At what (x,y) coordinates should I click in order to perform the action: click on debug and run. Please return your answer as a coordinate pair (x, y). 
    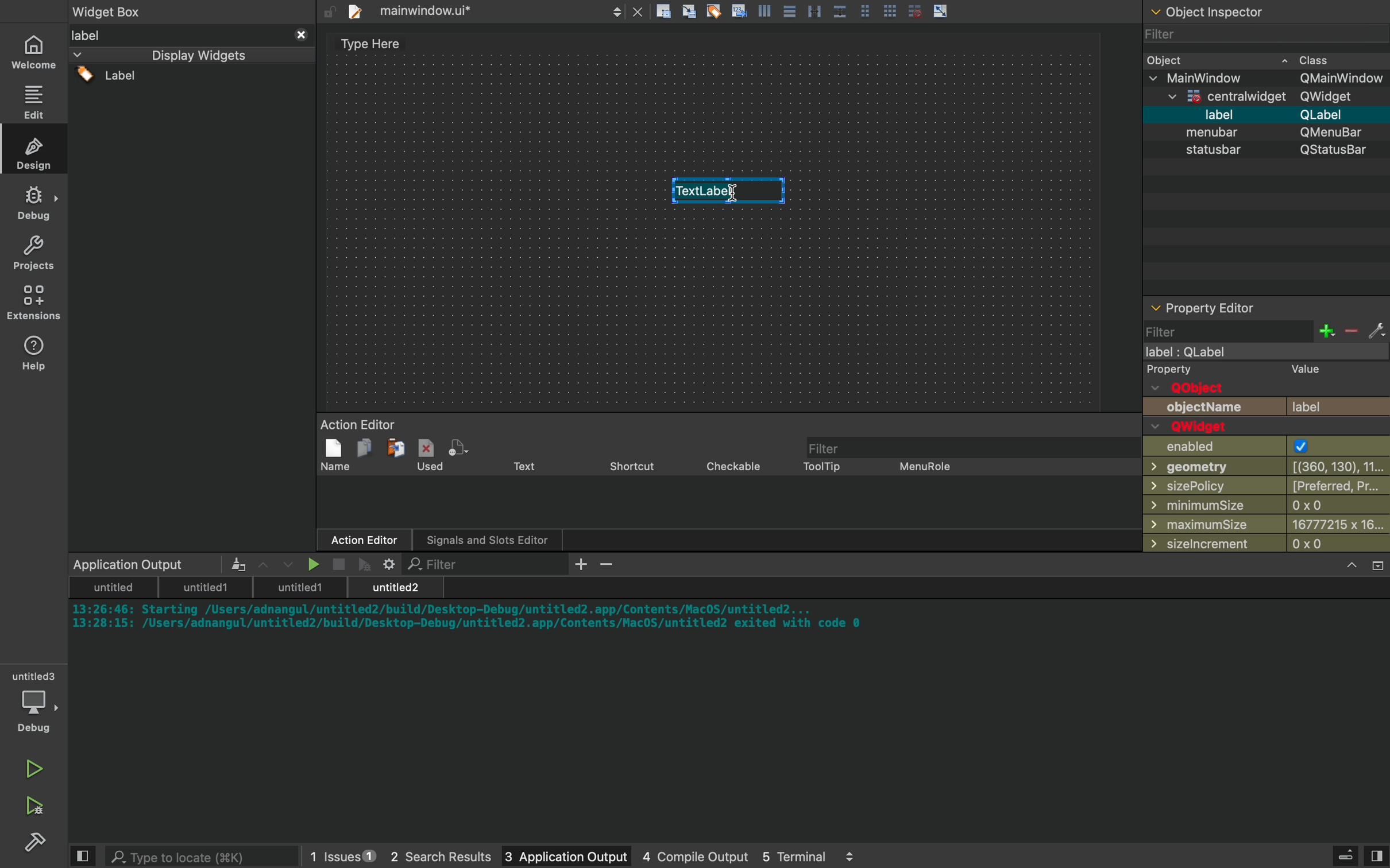
    Looking at the image, I should click on (34, 805).